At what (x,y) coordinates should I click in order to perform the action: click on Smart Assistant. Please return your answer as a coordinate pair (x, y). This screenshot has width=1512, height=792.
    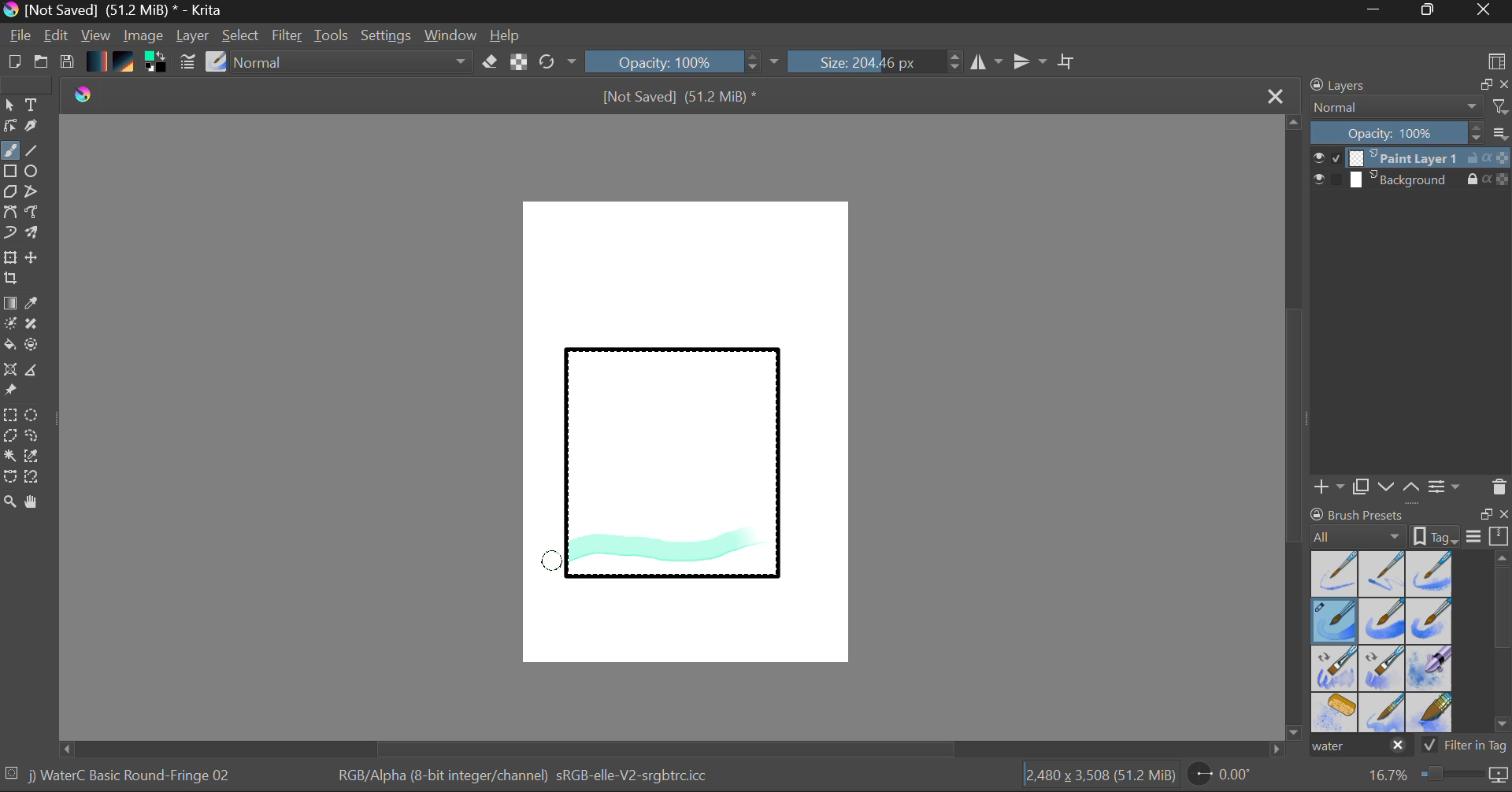
    Looking at the image, I should click on (9, 372).